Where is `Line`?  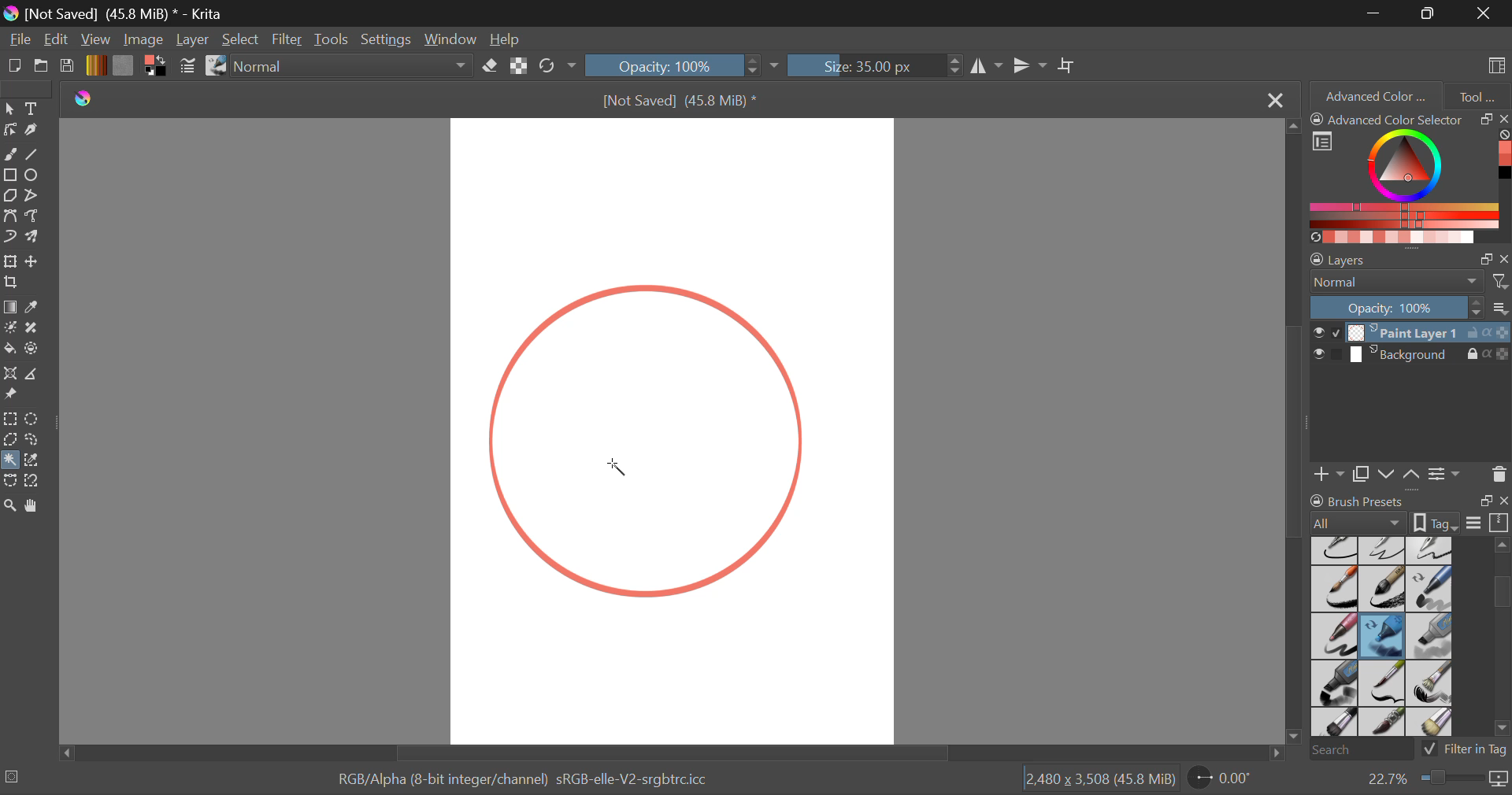 Line is located at coordinates (35, 156).